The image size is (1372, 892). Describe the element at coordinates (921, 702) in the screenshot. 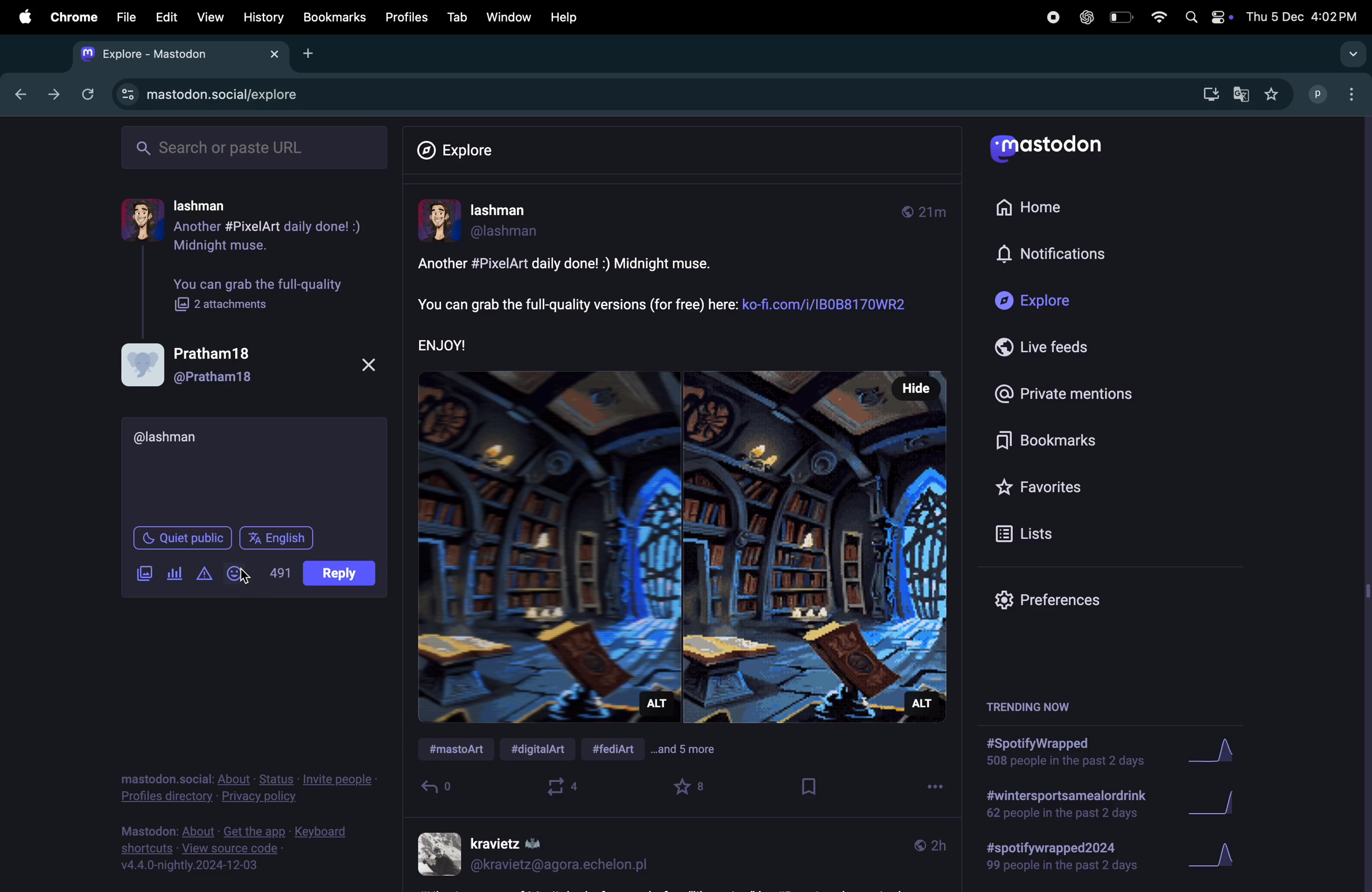

I see `Alt description` at that location.